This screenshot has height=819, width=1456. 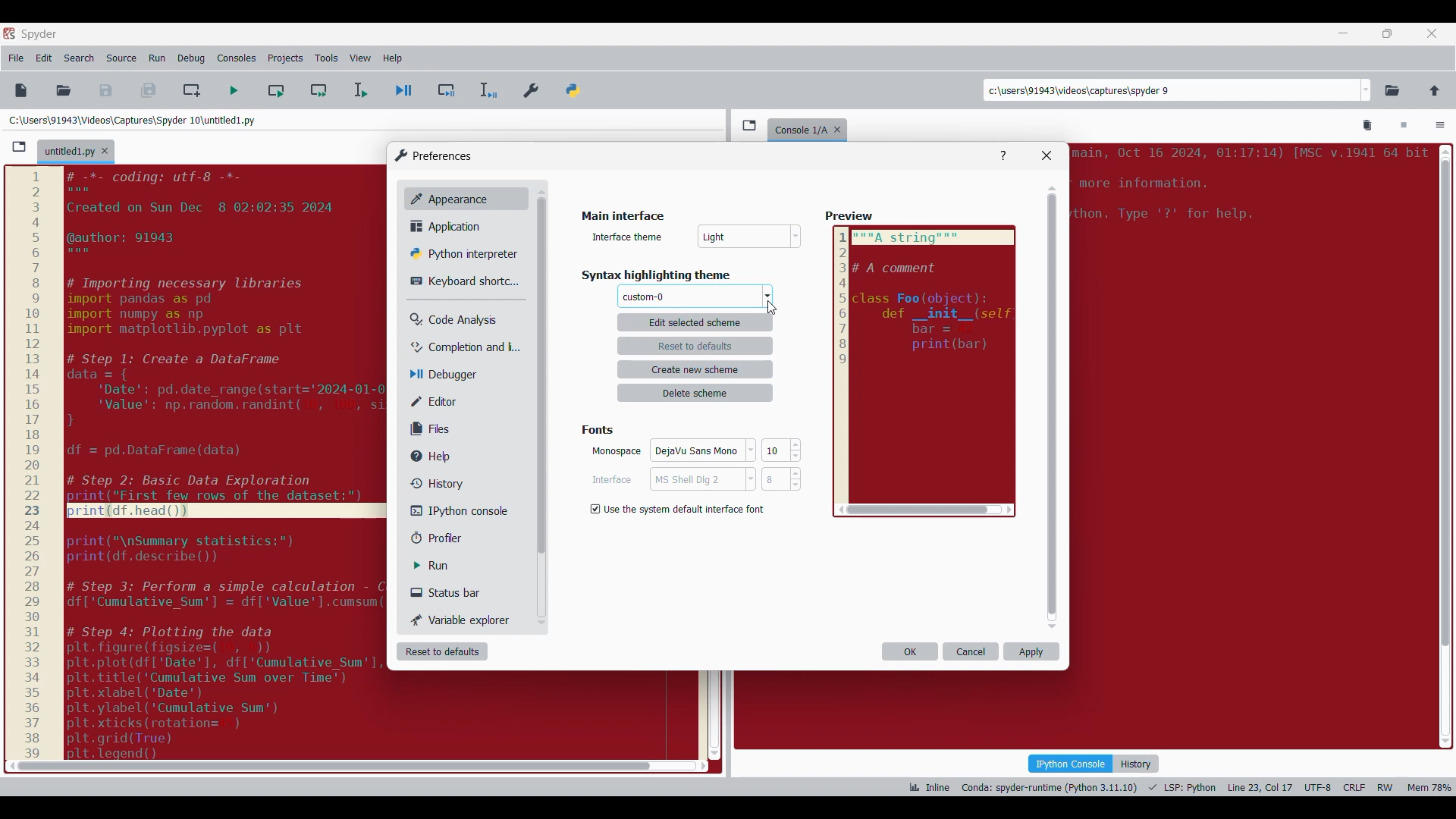 What do you see at coordinates (487, 90) in the screenshot?
I see `Debug selection/current line` at bounding box center [487, 90].